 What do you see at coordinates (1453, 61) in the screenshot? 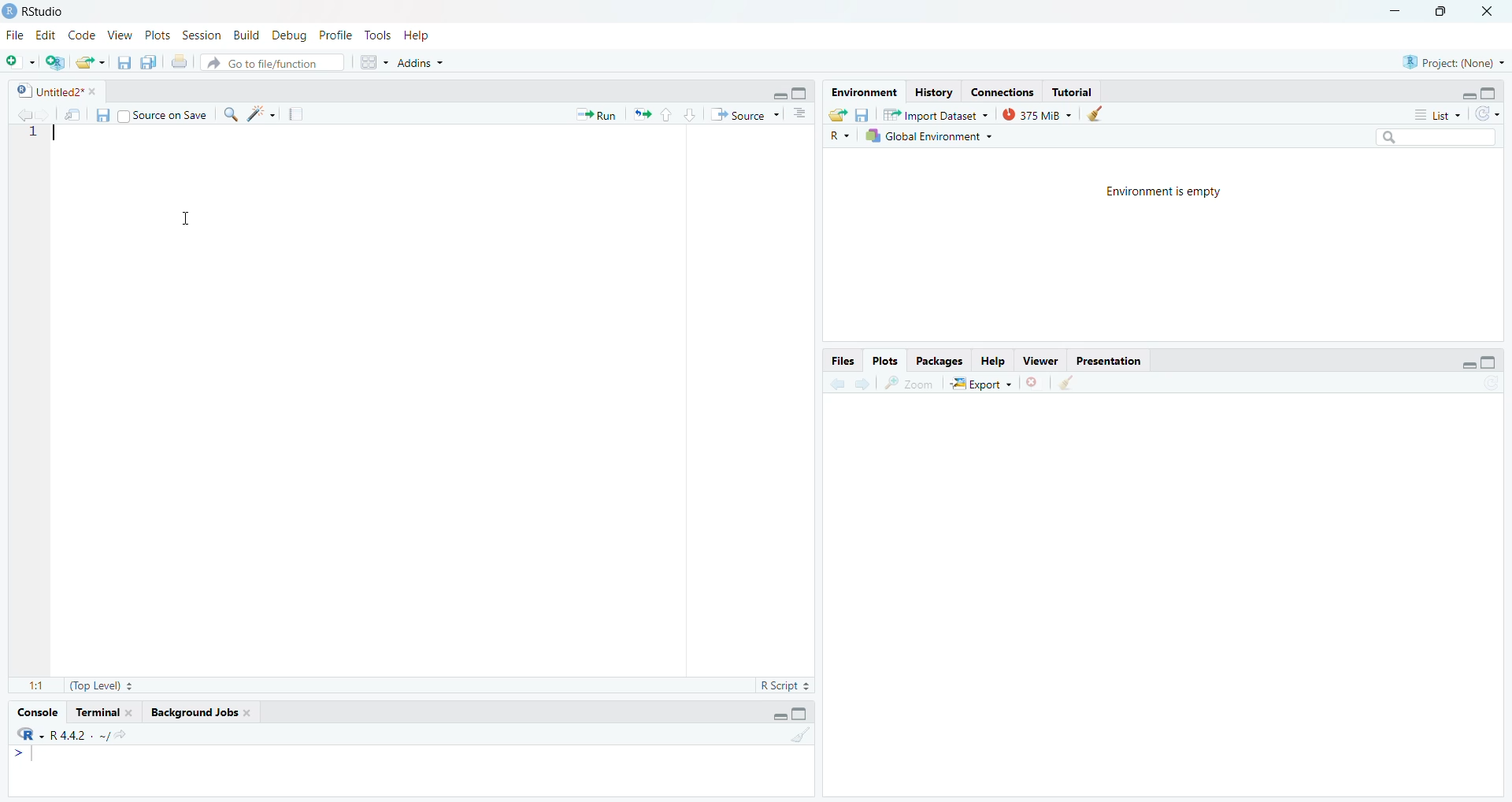
I see `®) Project: (None) ~` at bounding box center [1453, 61].